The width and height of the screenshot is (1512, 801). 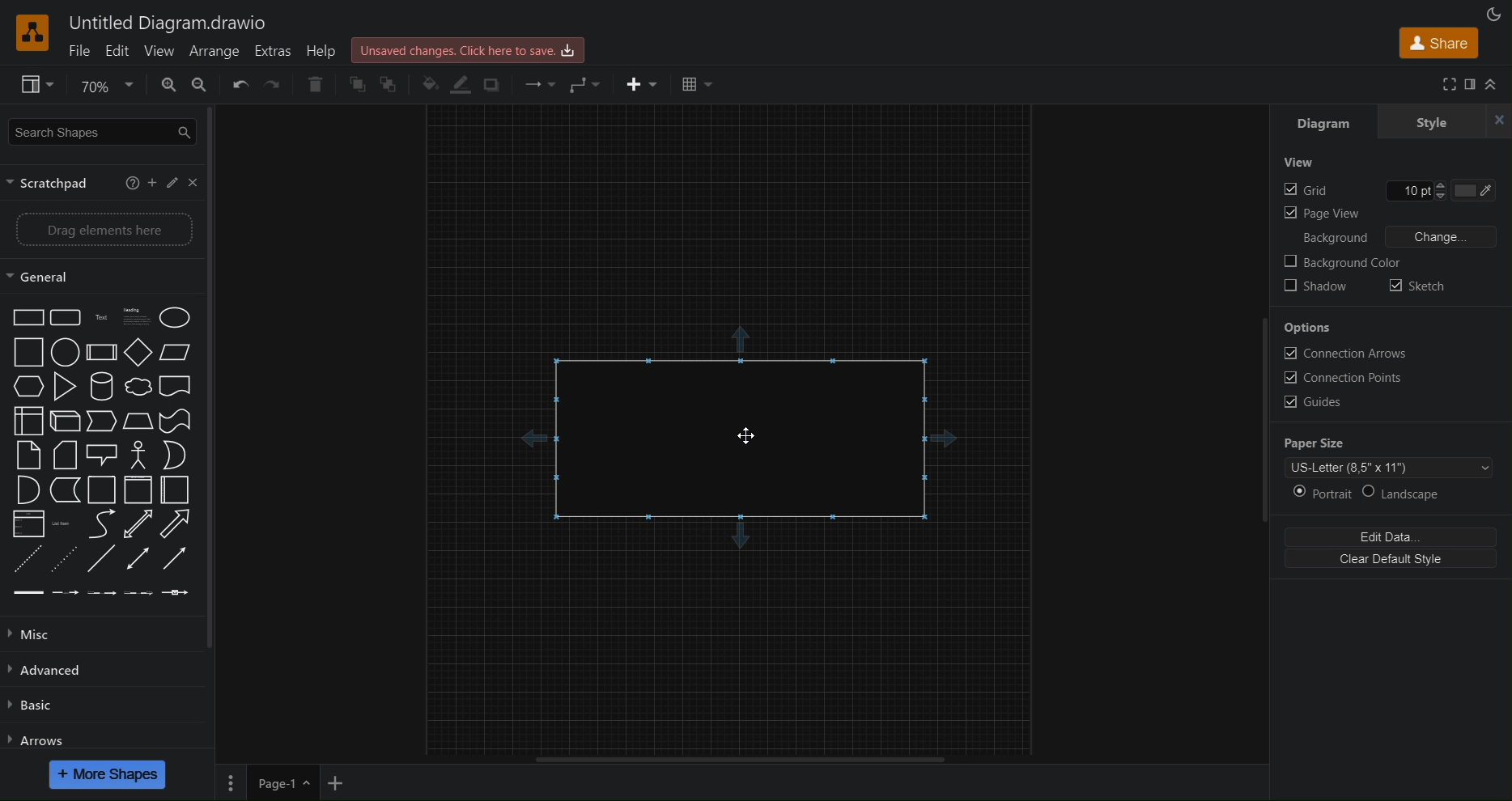 What do you see at coordinates (32, 32) in the screenshot?
I see `Logo` at bounding box center [32, 32].